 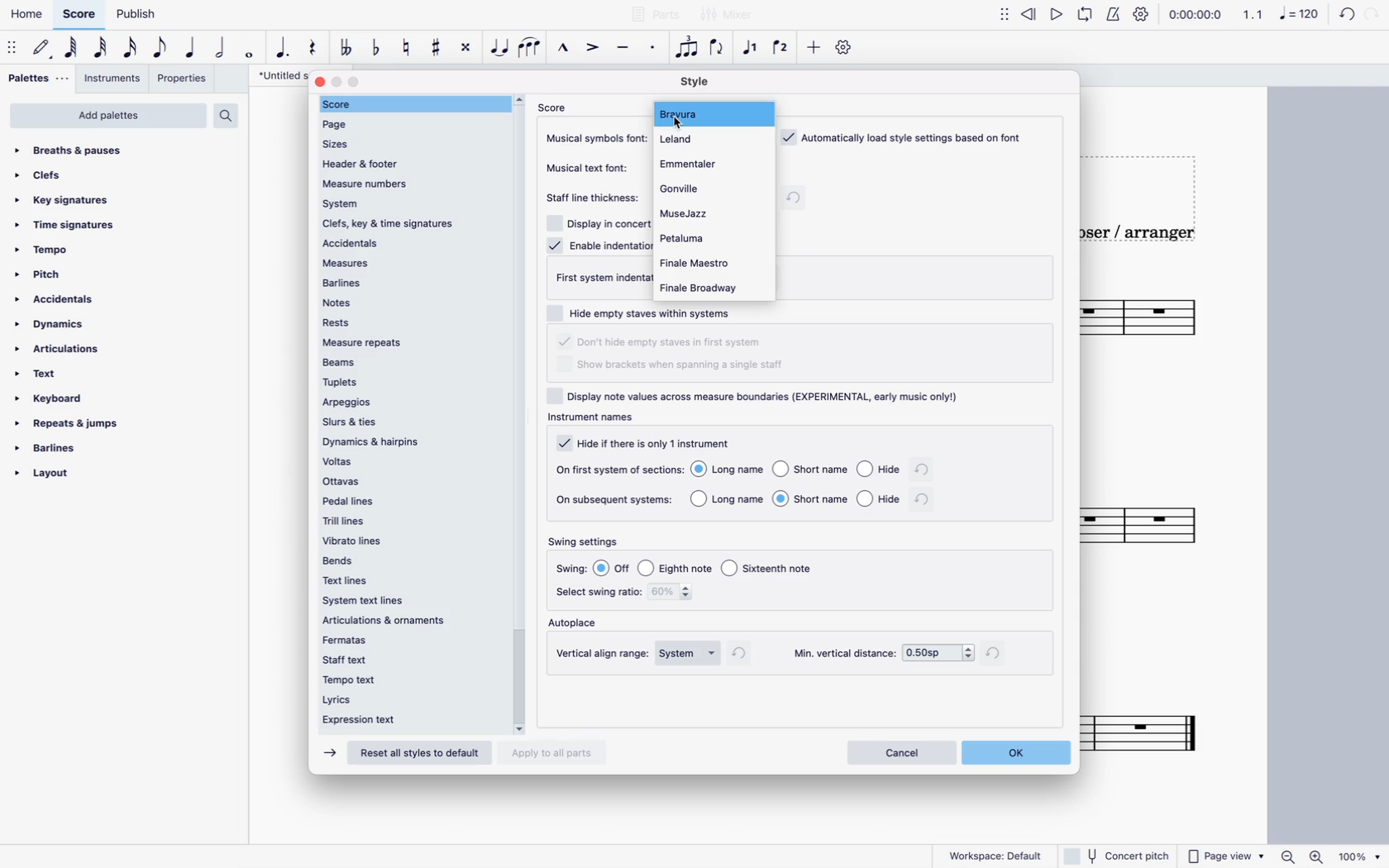 I want to click on search, so click(x=231, y=116).